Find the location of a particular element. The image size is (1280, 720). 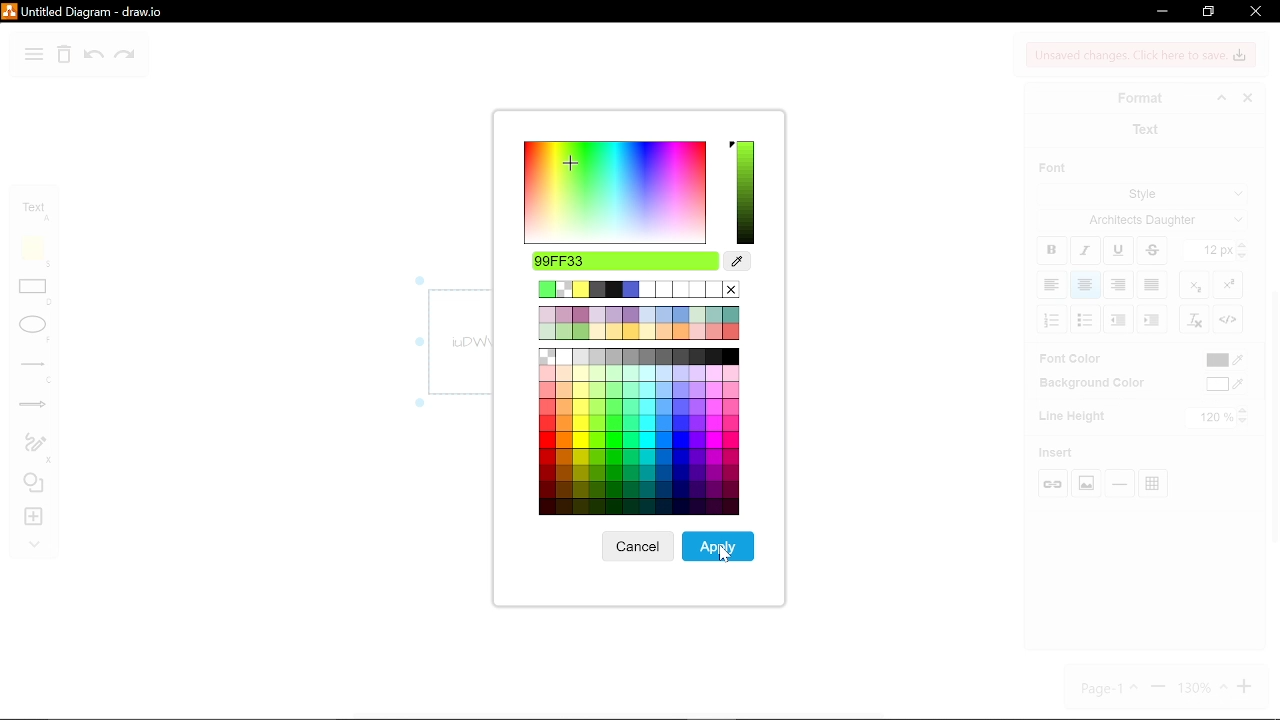

Other colors is located at coordinates (634, 433).